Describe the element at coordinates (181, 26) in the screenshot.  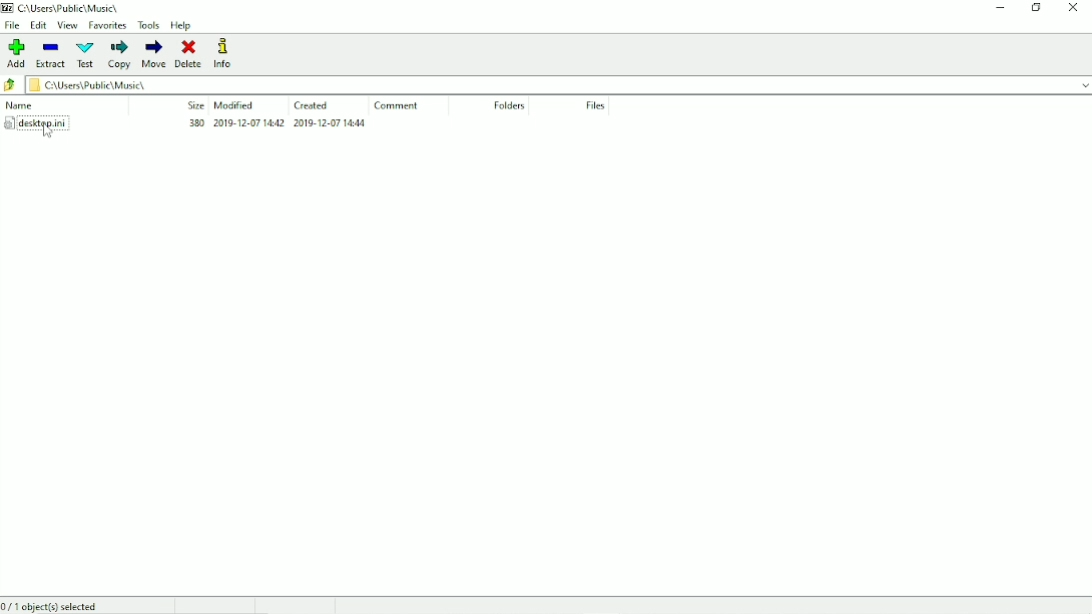
I see `Help` at that location.